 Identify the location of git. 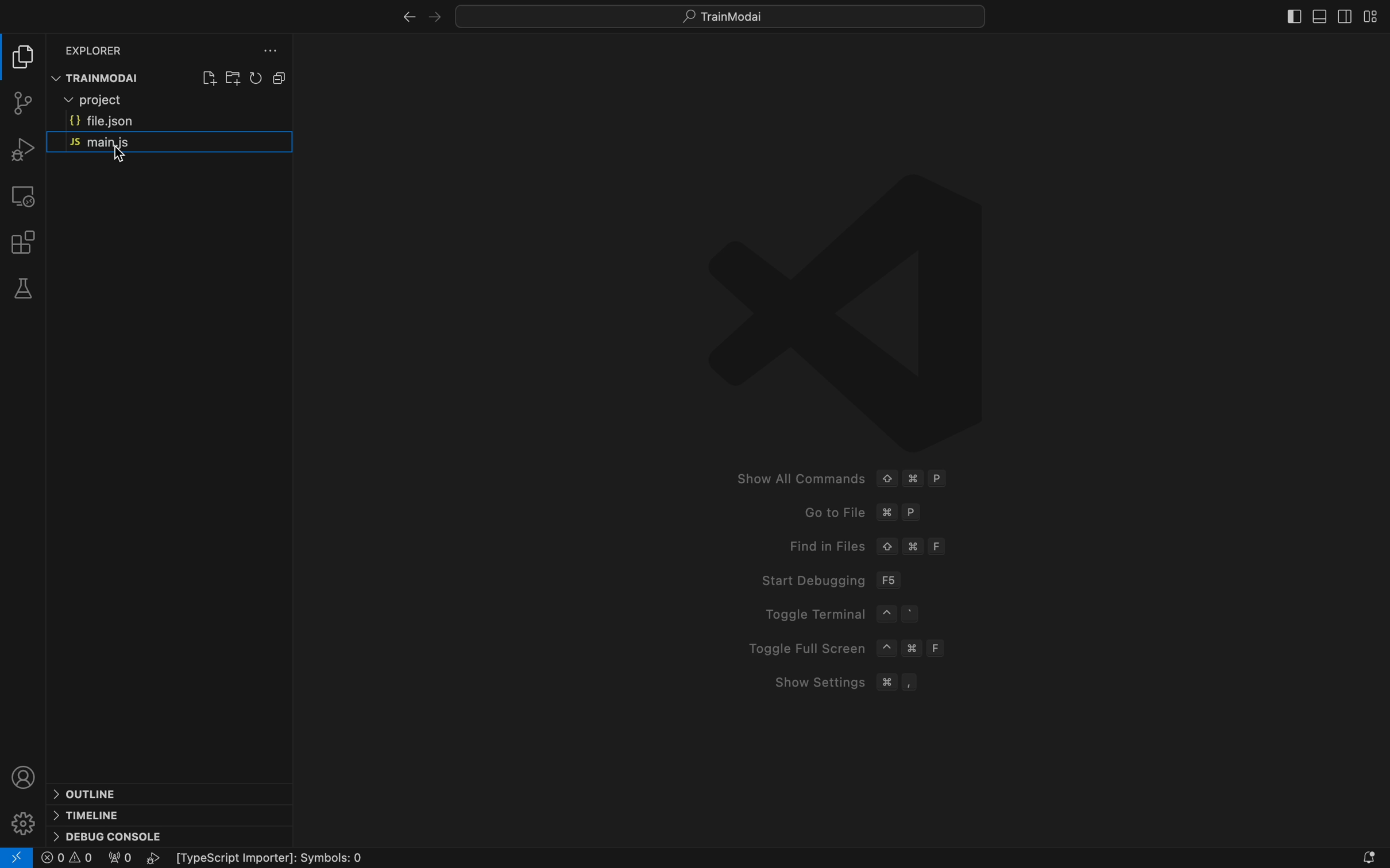
(22, 103).